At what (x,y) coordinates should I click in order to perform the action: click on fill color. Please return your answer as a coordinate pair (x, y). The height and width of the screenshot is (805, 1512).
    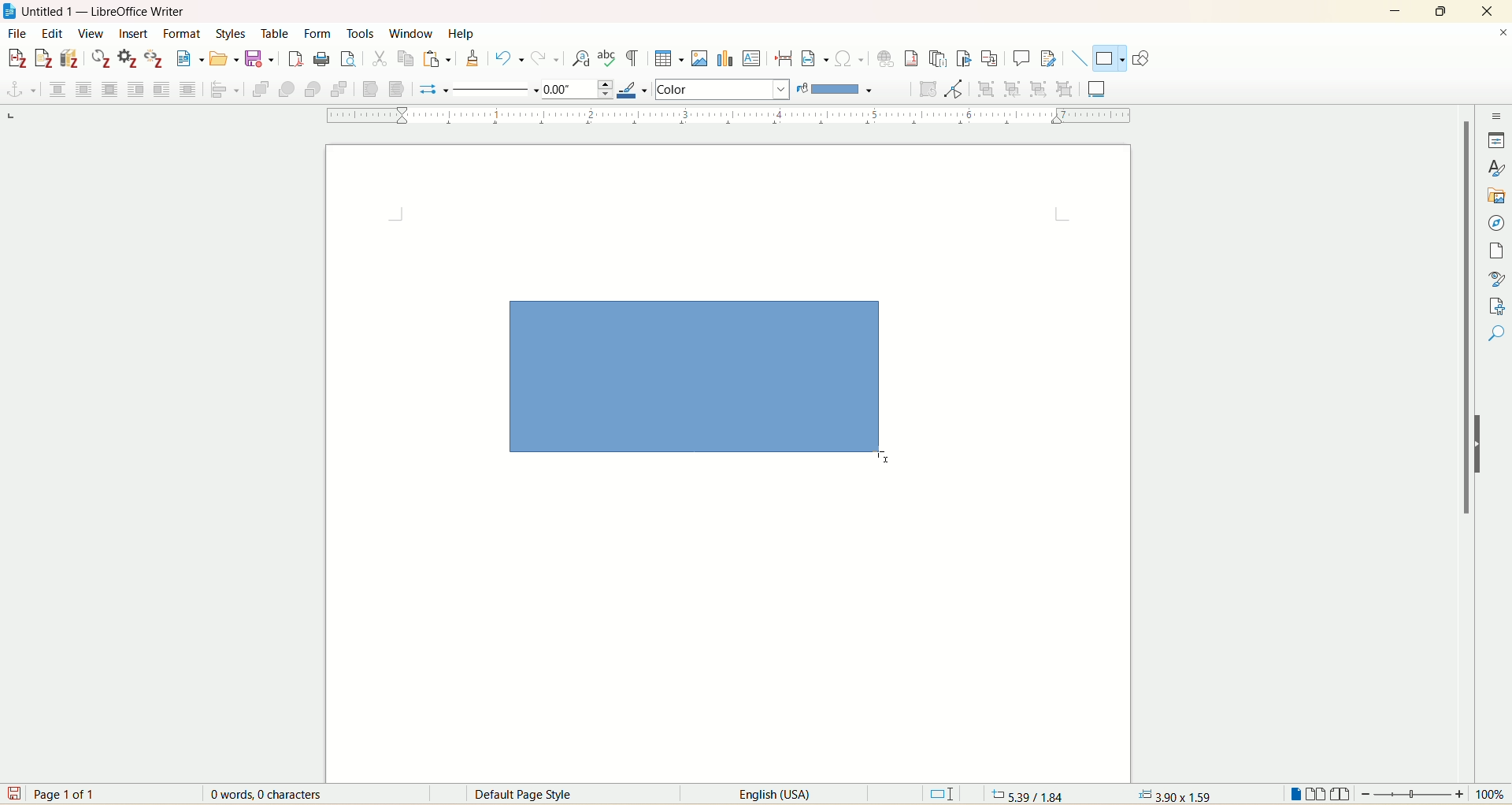
    Looking at the image, I should click on (839, 89).